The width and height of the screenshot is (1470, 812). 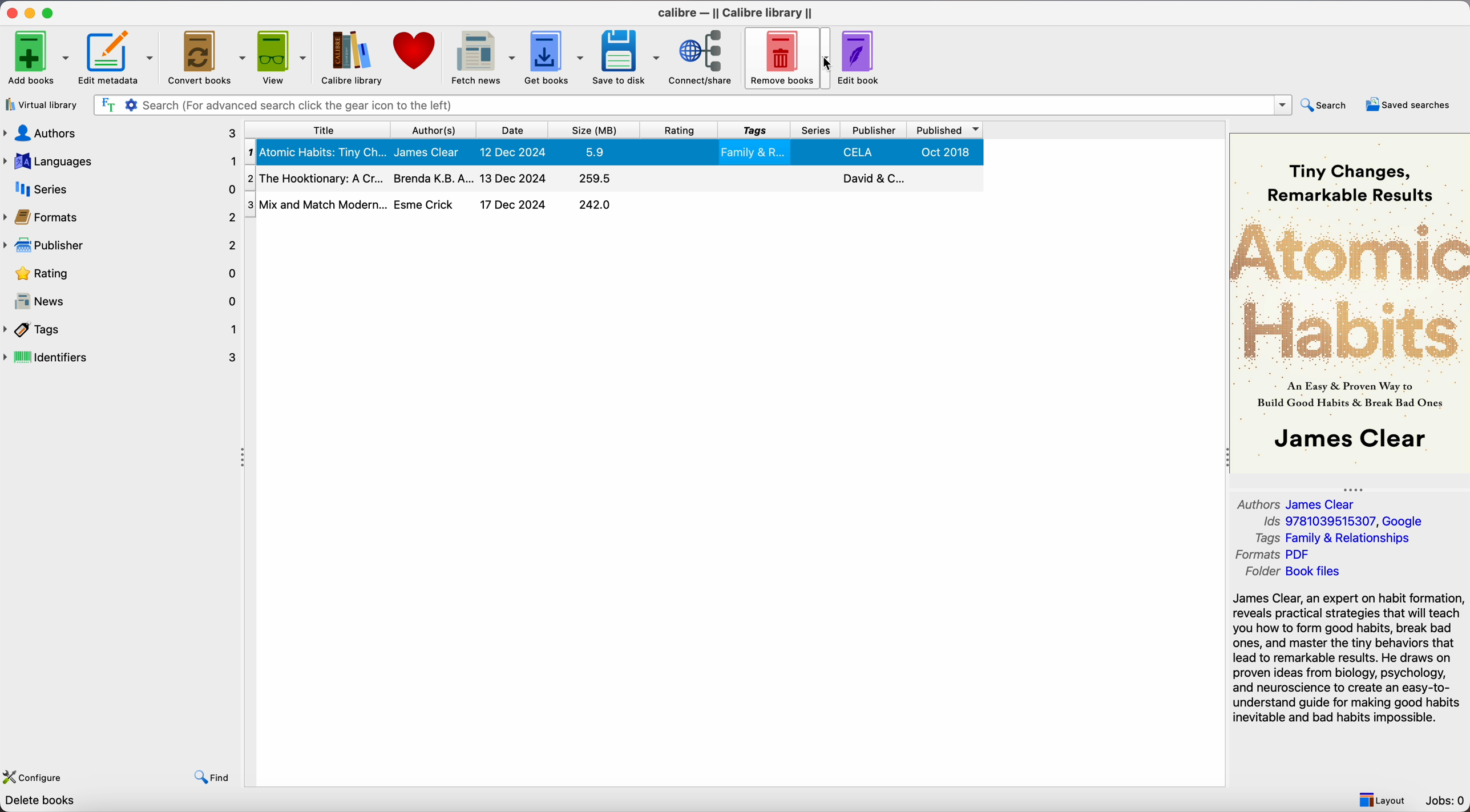 What do you see at coordinates (514, 178) in the screenshot?
I see `13 Dec 2024` at bounding box center [514, 178].